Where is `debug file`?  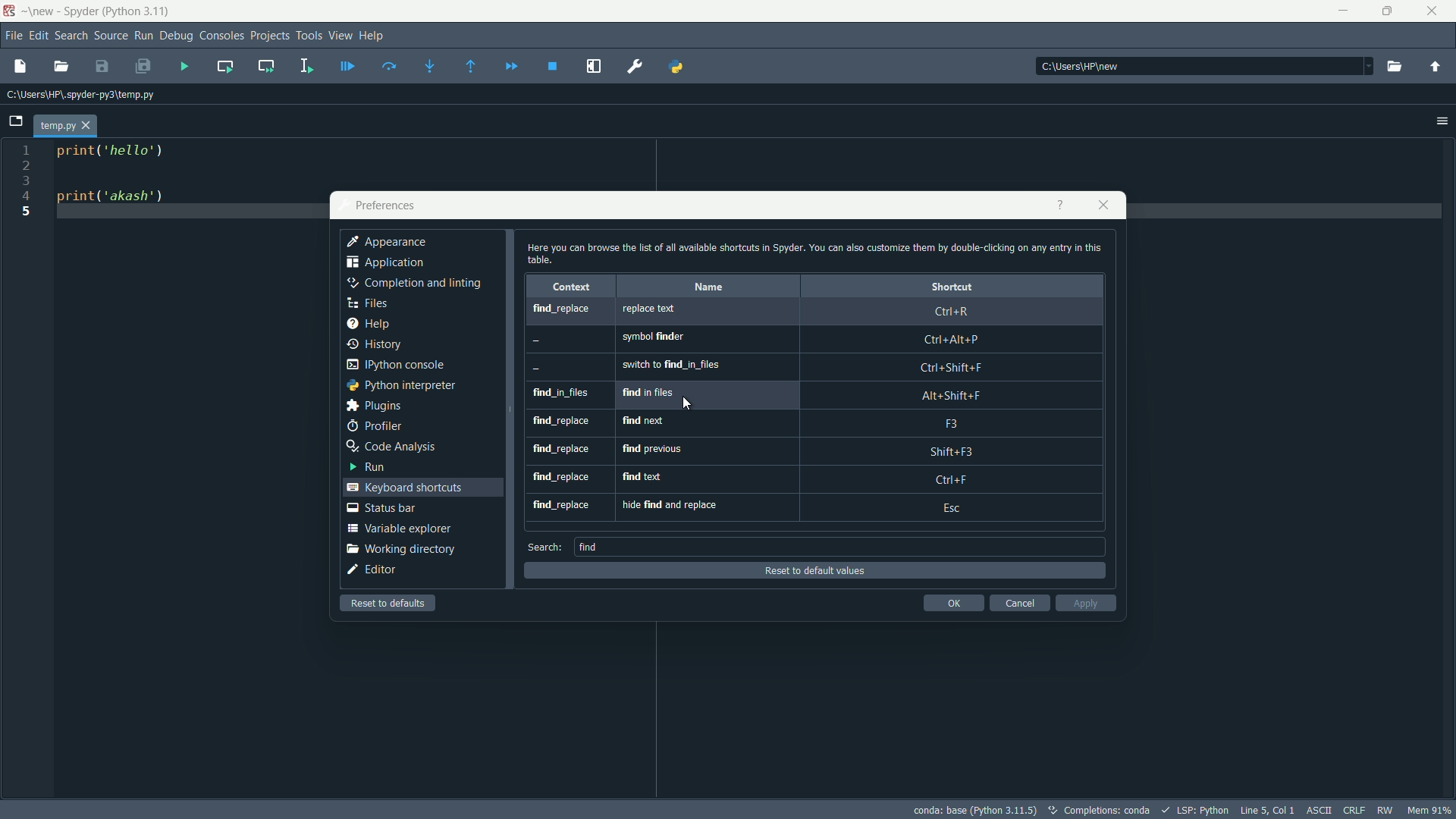
debug file is located at coordinates (351, 70).